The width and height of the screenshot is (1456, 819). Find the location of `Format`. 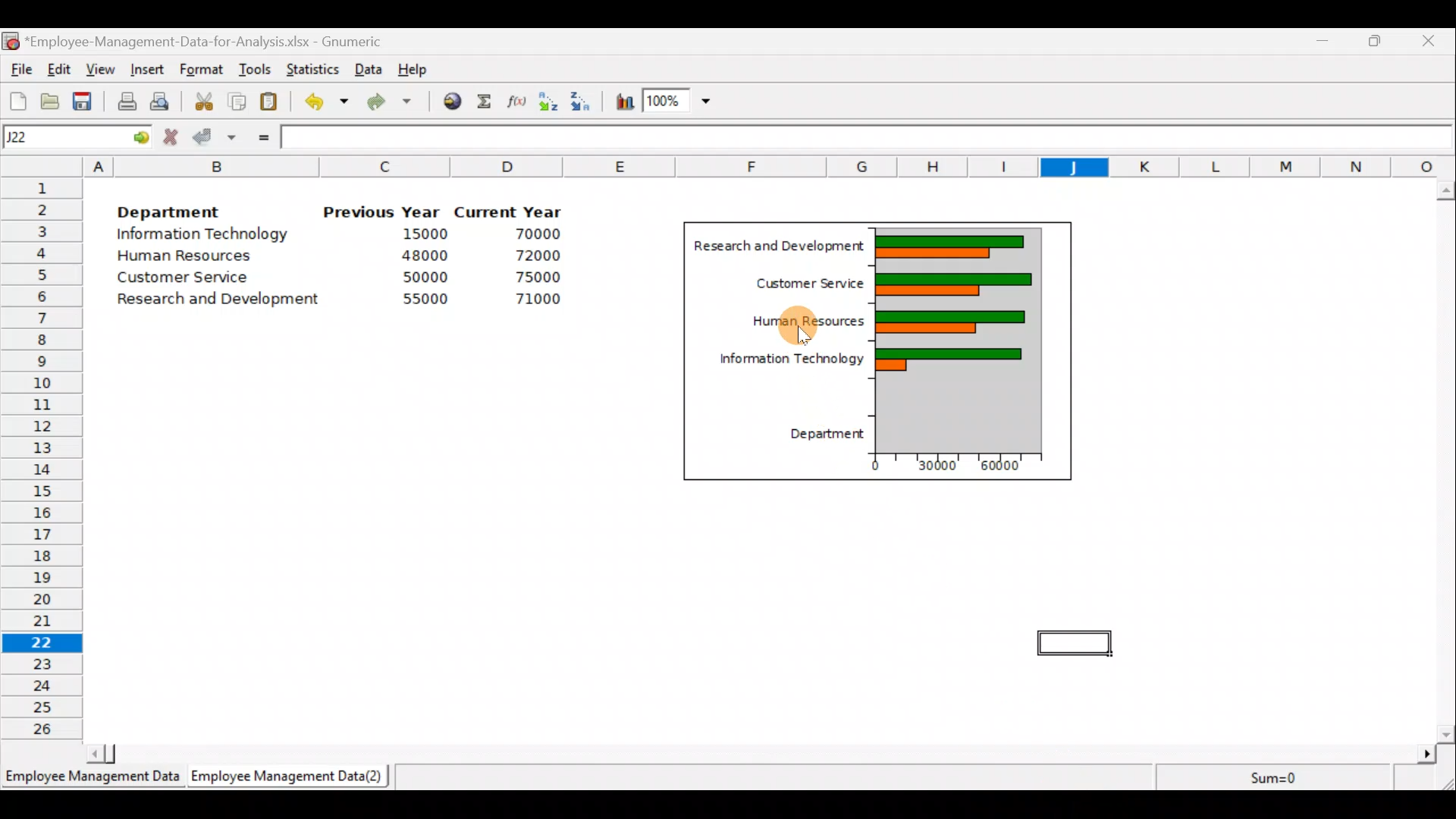

Format is located at coordinates (203, 67).